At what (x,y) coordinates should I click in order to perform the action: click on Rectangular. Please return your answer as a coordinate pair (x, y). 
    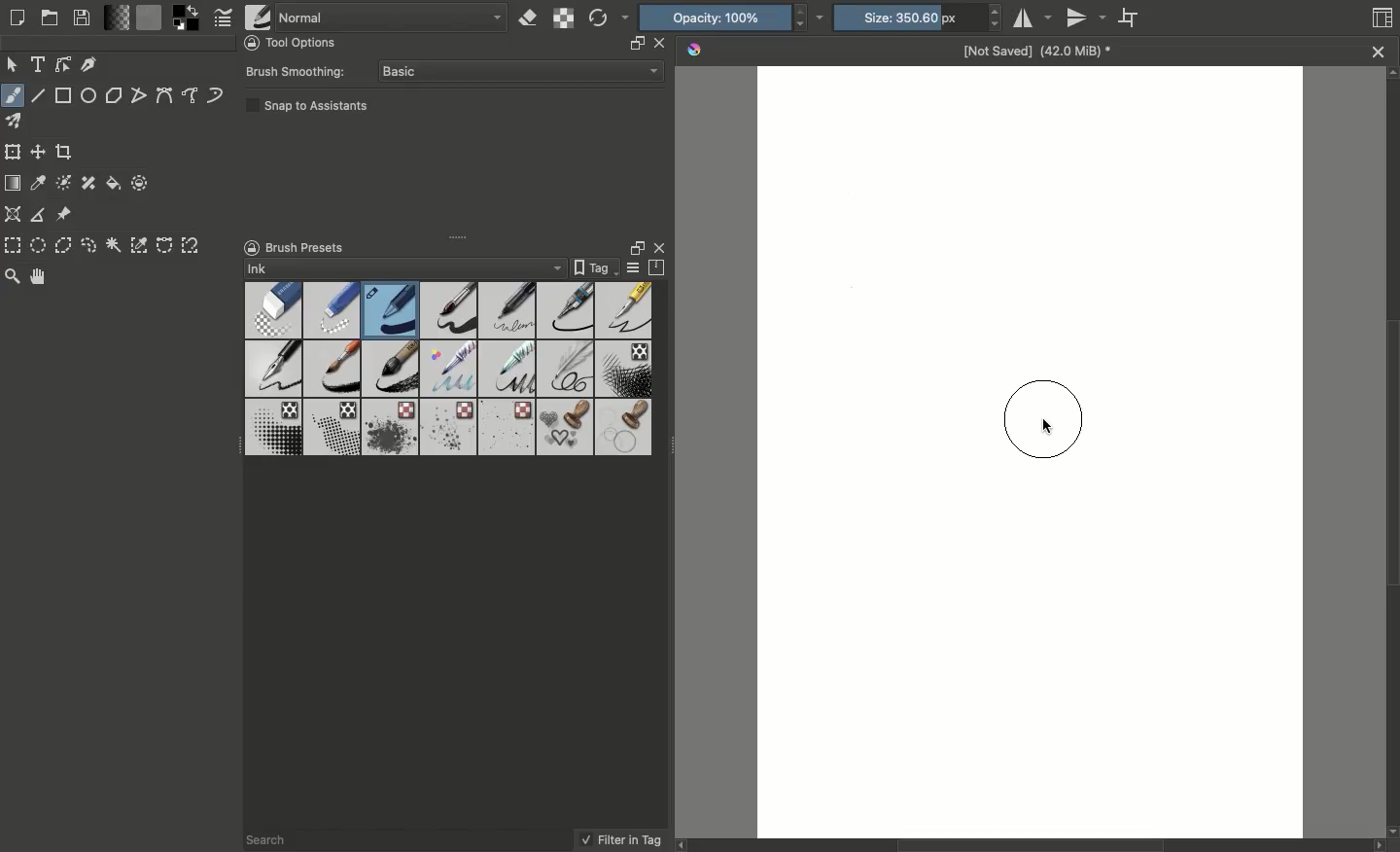
    Looking at the image, I should click on (64, 95).